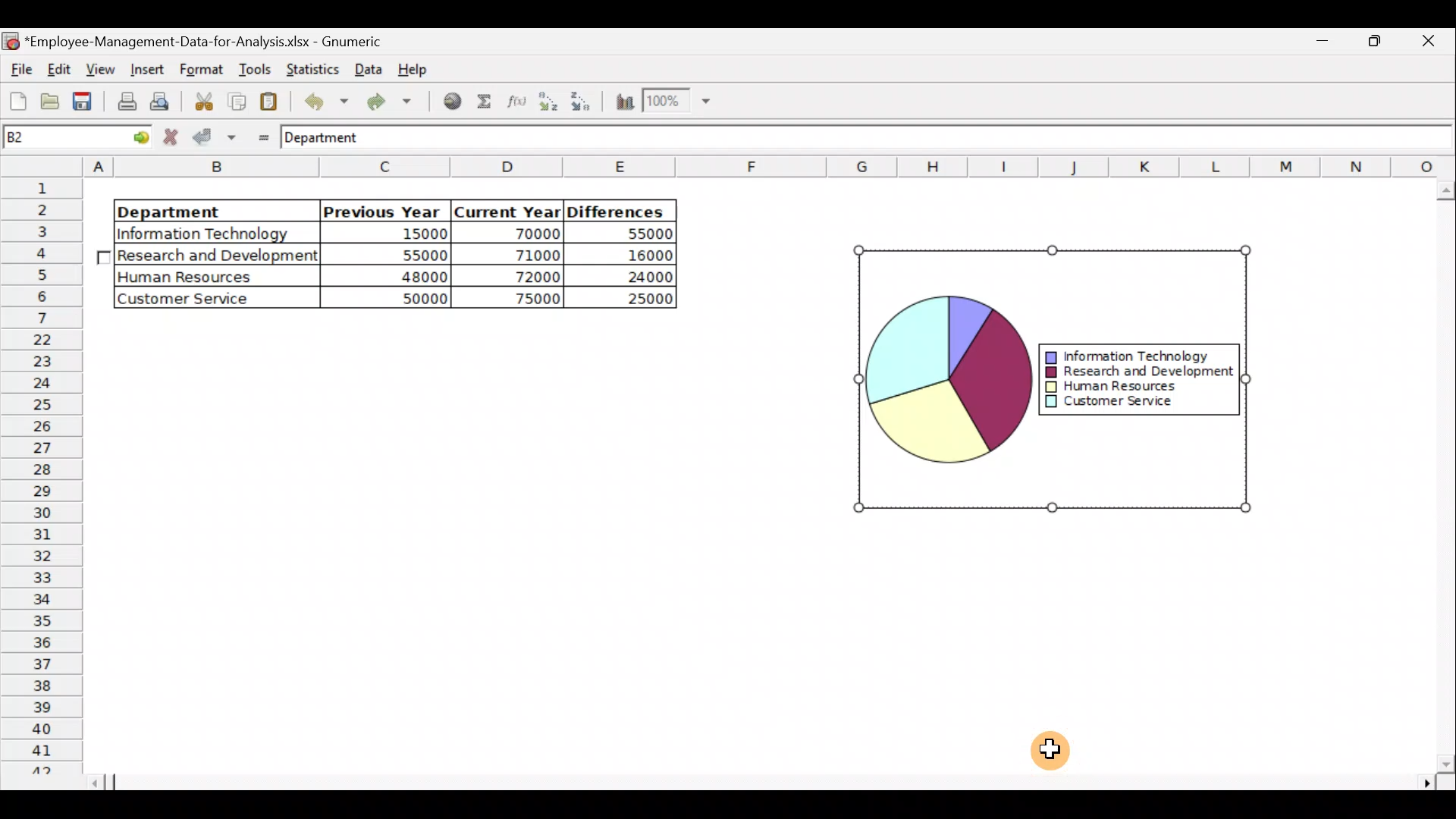 Image resolution: width=1456 pixels, height=819 pixels. What do you see at coordinates (19, 65) in the screenshot?
I see `File` at bounding box center [19, 65].